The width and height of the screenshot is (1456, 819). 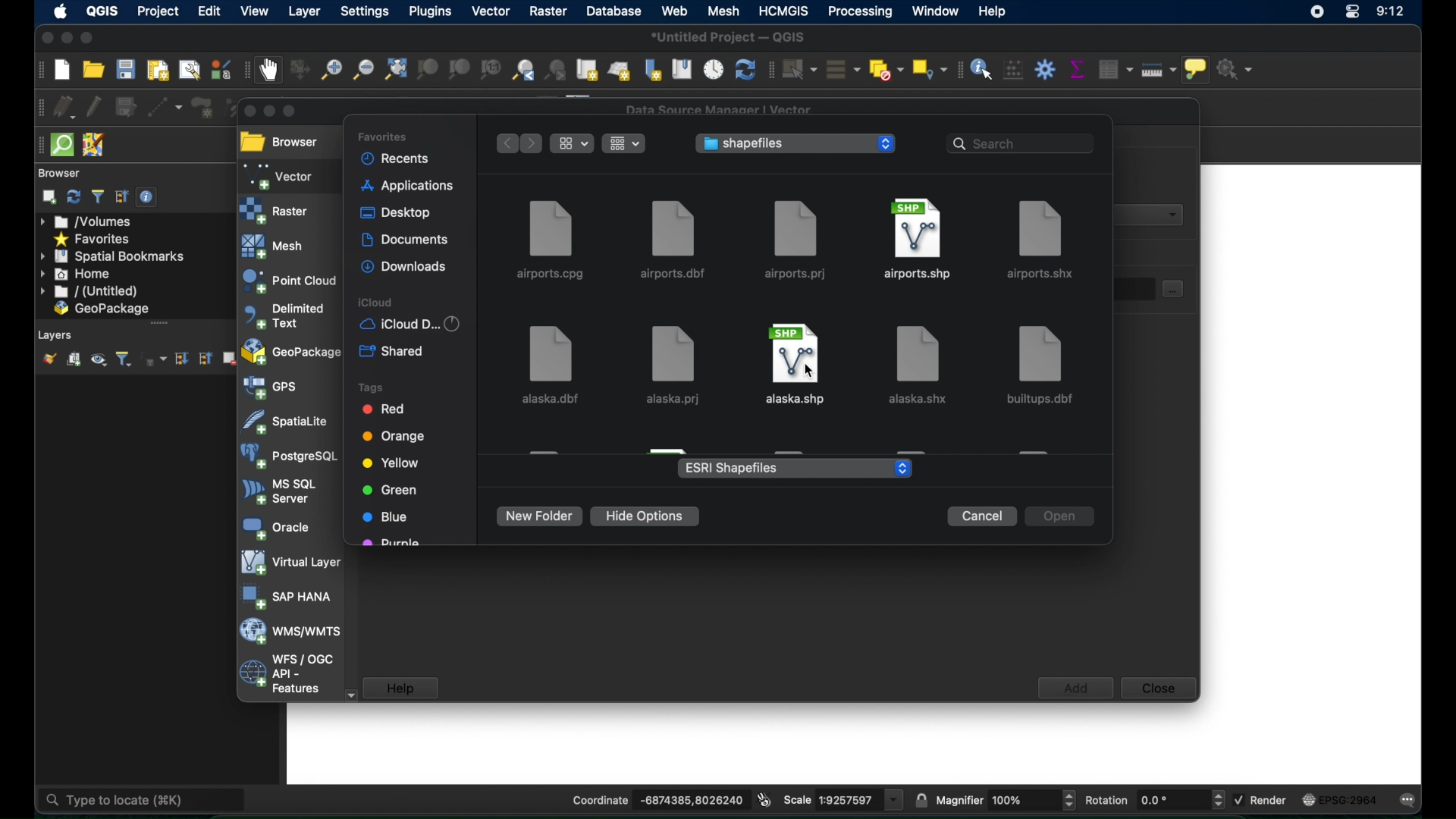 I want to click on filter browser, so click(x=97, y=196).